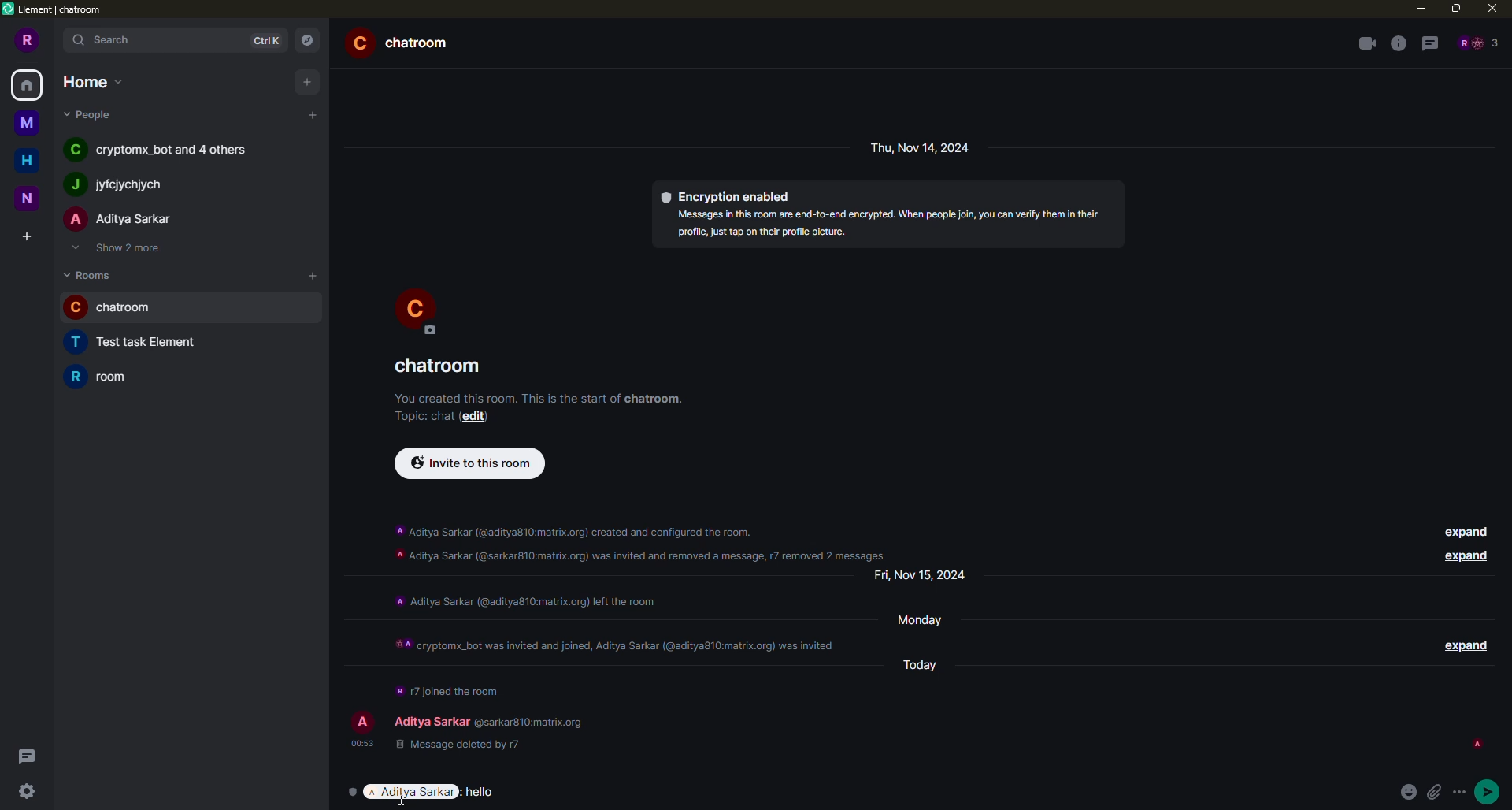 The width and height of the screenshot is (1512, 810). What do you see at coordinates (90, 80) in the screenshot?
I see `home` at bounding box center [90, 80].